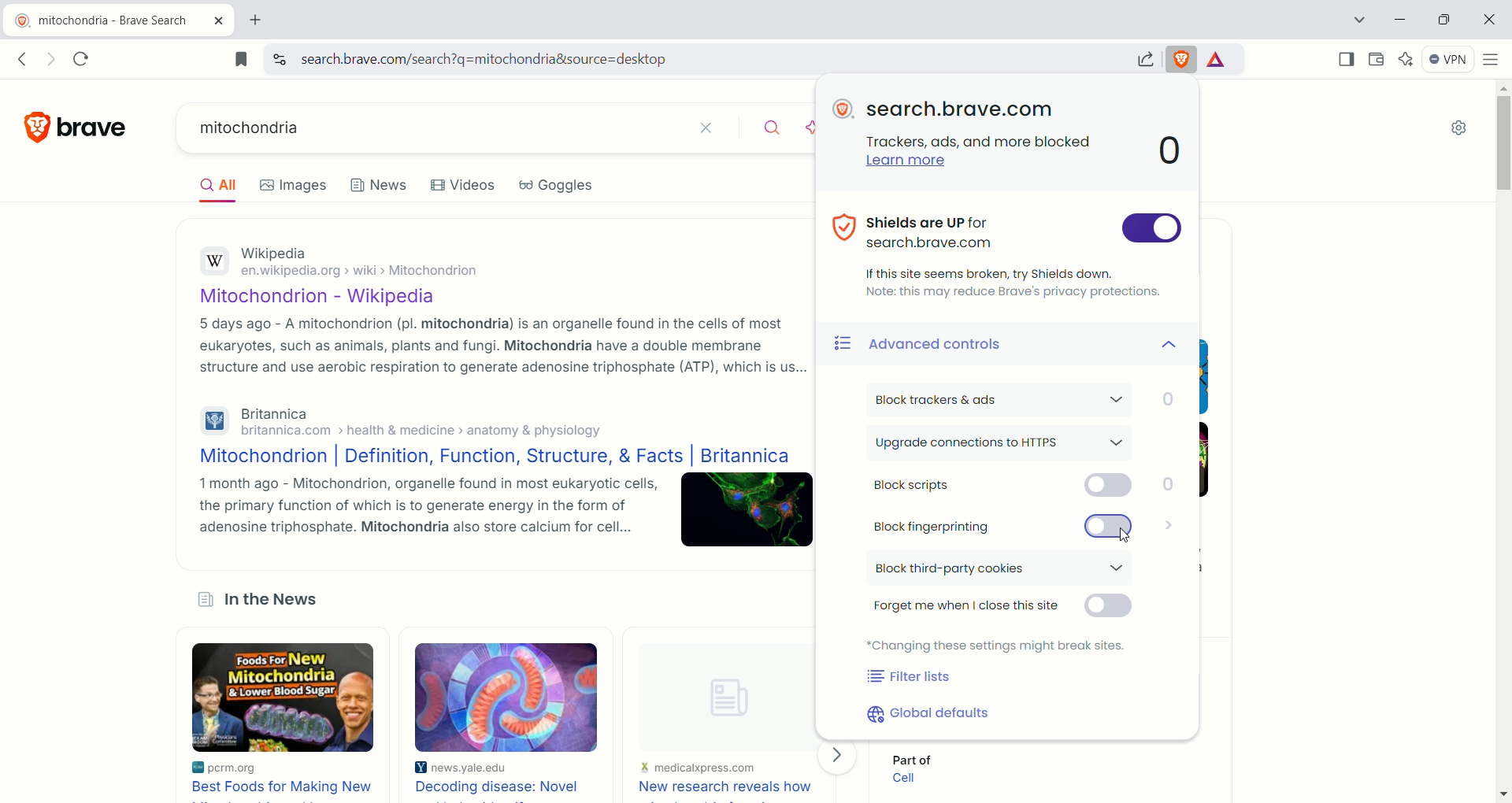 This screenshot has width=1512, height=803. Describe the element at coordinates (294, 185) in the screenshot. I see `Images` at that location.